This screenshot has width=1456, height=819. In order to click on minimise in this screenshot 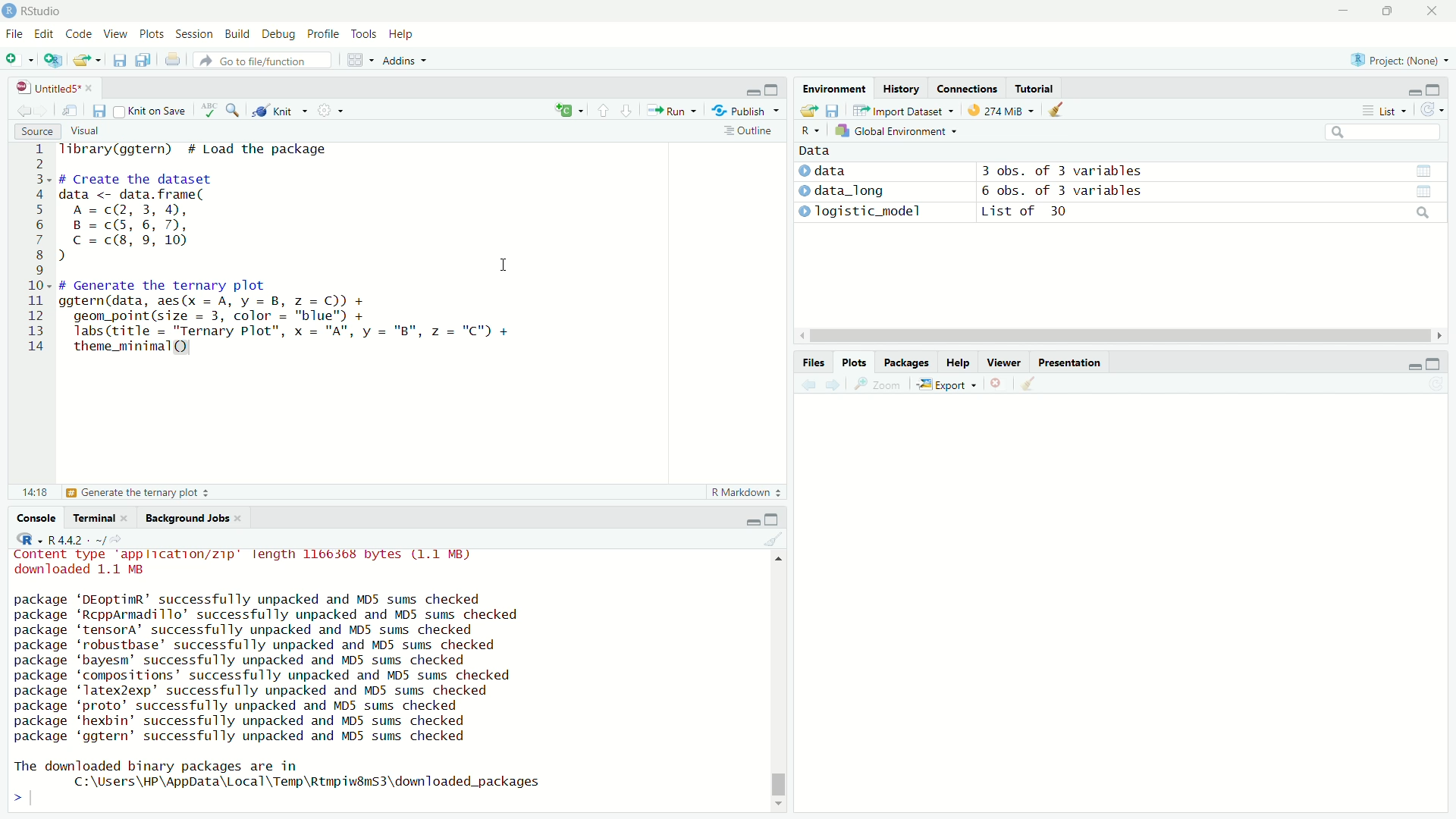, I will do `click(1407, 90)`.